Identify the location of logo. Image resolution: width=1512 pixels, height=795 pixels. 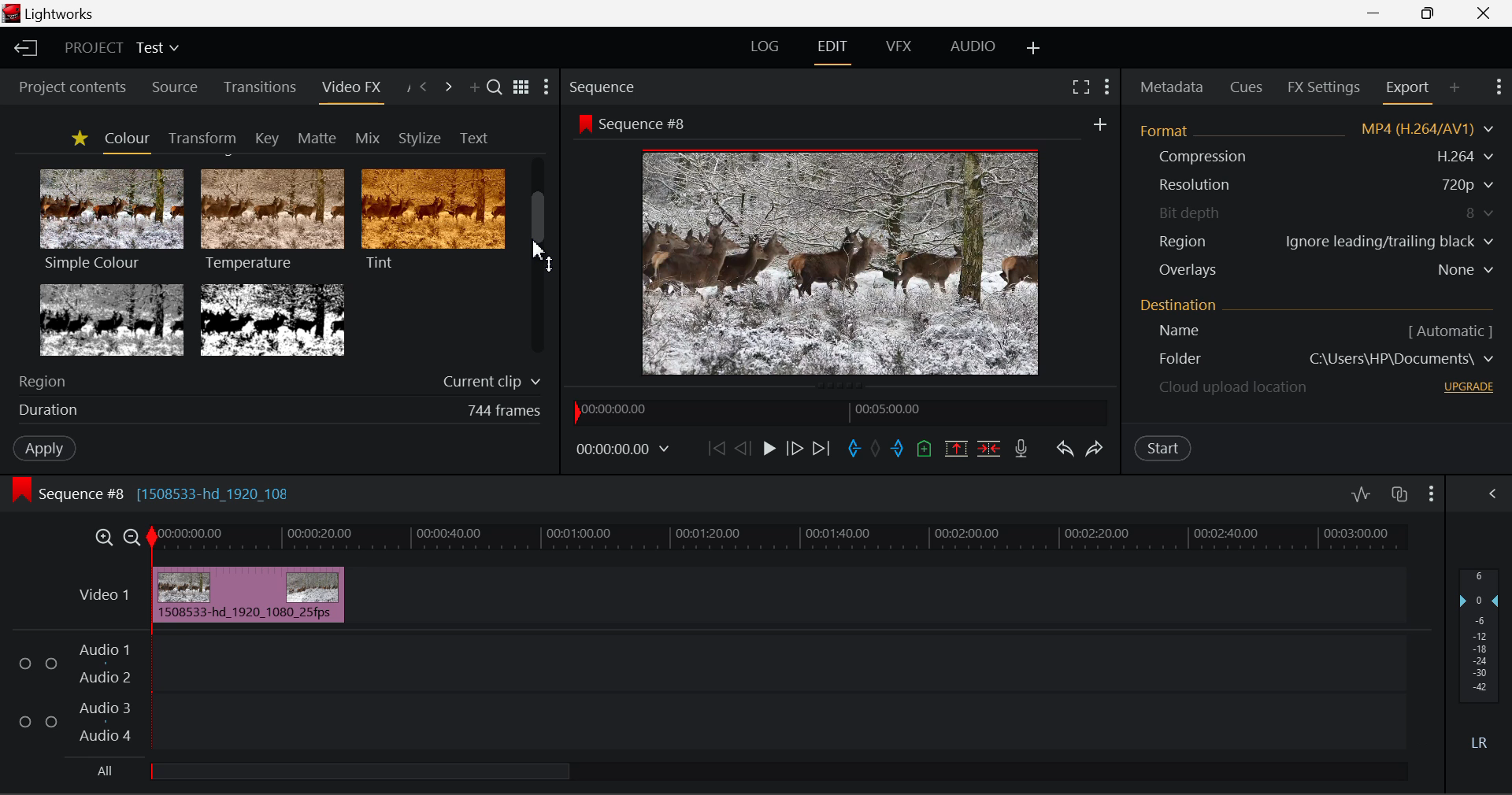
(11, 13).